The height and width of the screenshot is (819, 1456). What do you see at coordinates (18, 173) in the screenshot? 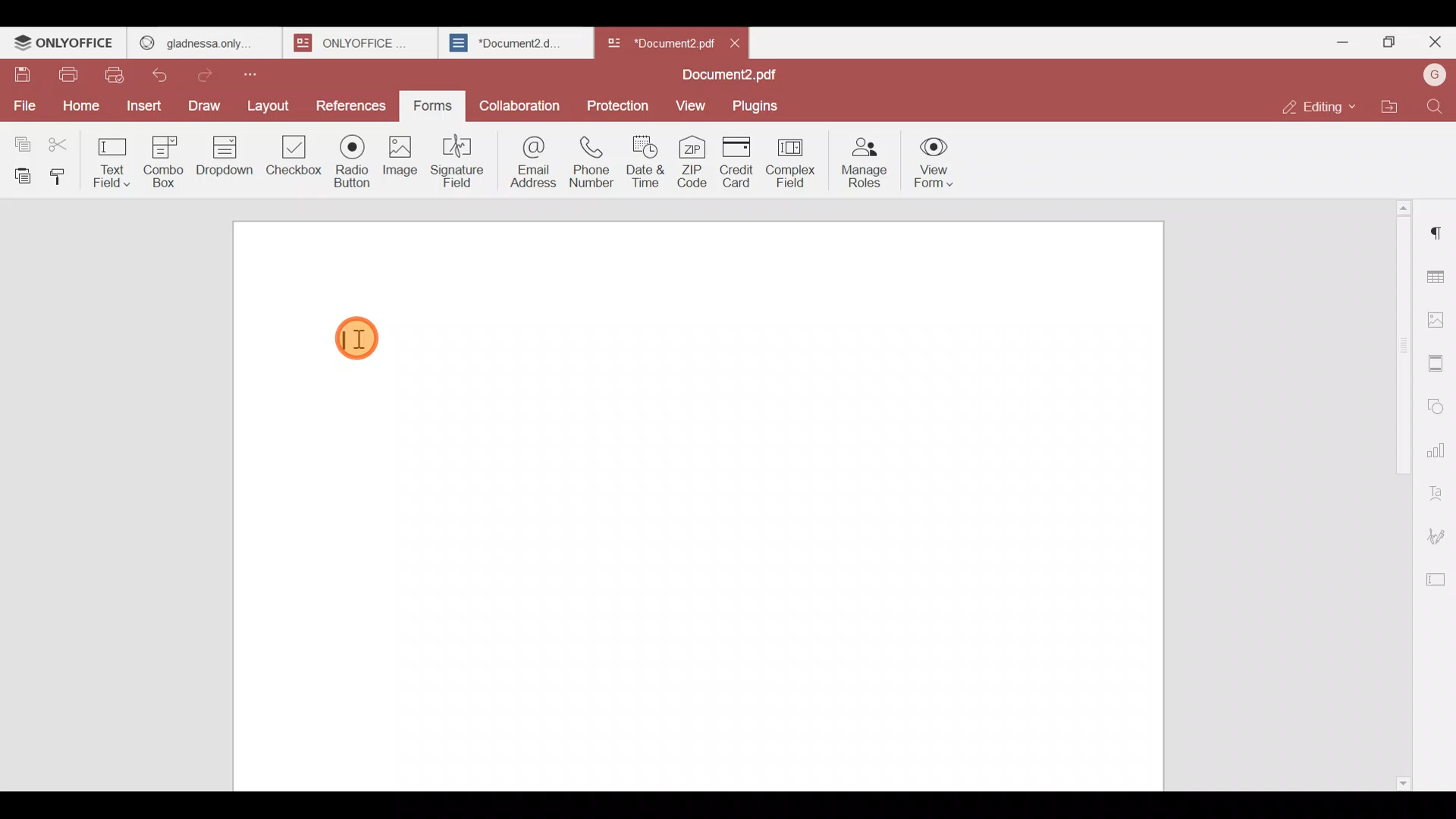
I see `Paste` at bounding box center [18, 173].